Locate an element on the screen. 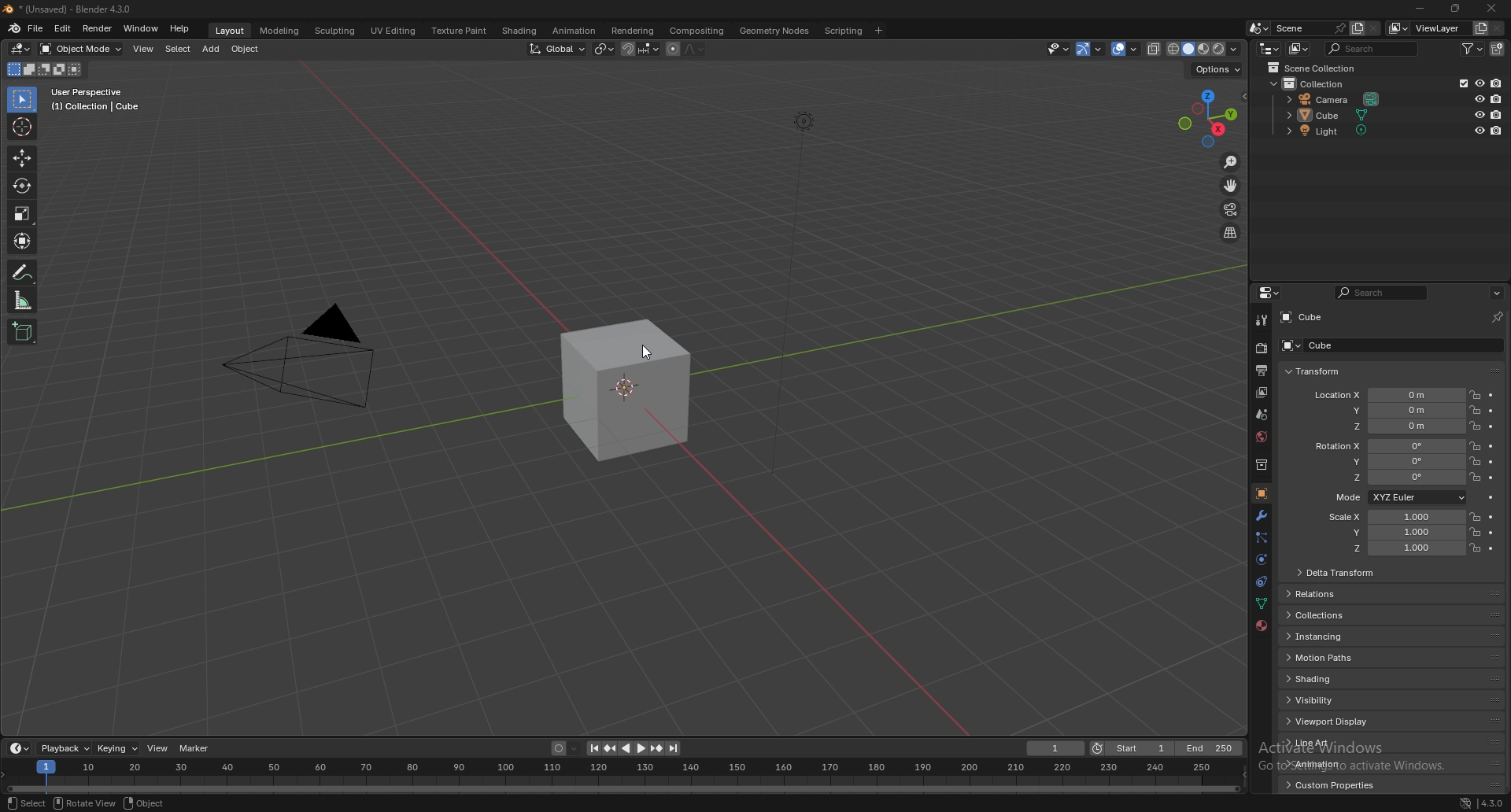 The image size is (1511, 812). info is located at coordinates (99, 98).